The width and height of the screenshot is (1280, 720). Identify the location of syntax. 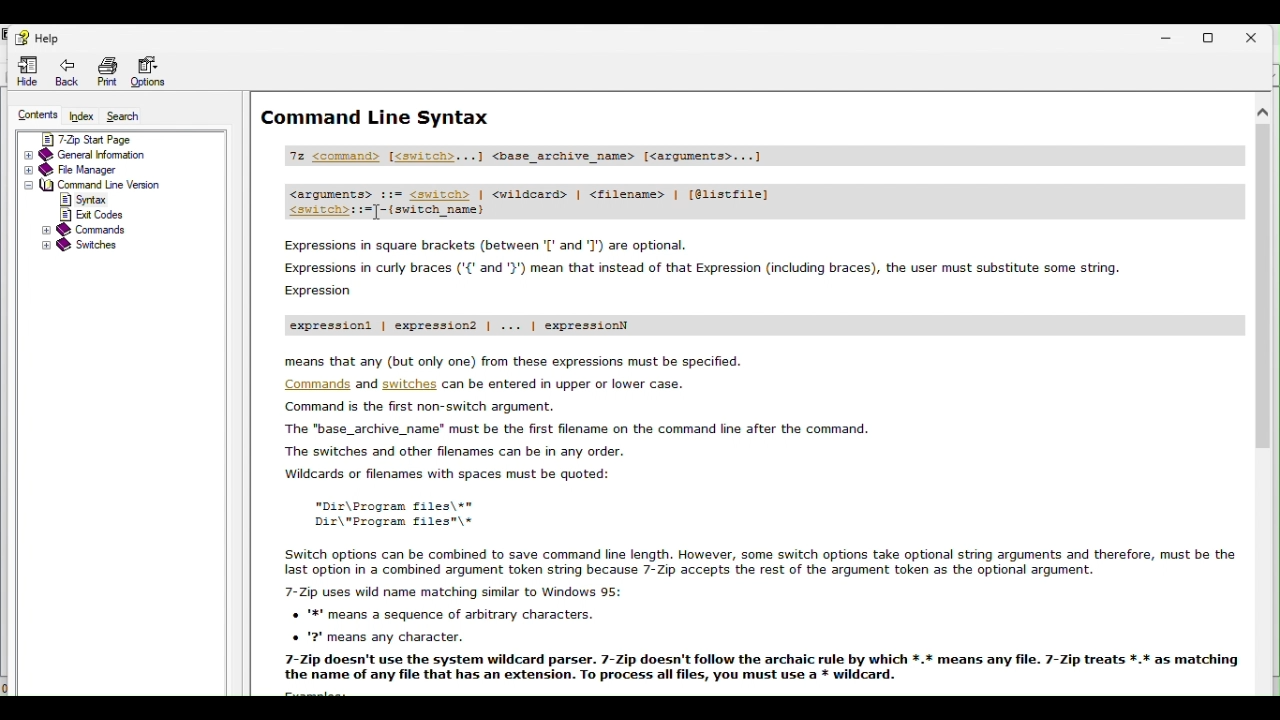
(83, 201).